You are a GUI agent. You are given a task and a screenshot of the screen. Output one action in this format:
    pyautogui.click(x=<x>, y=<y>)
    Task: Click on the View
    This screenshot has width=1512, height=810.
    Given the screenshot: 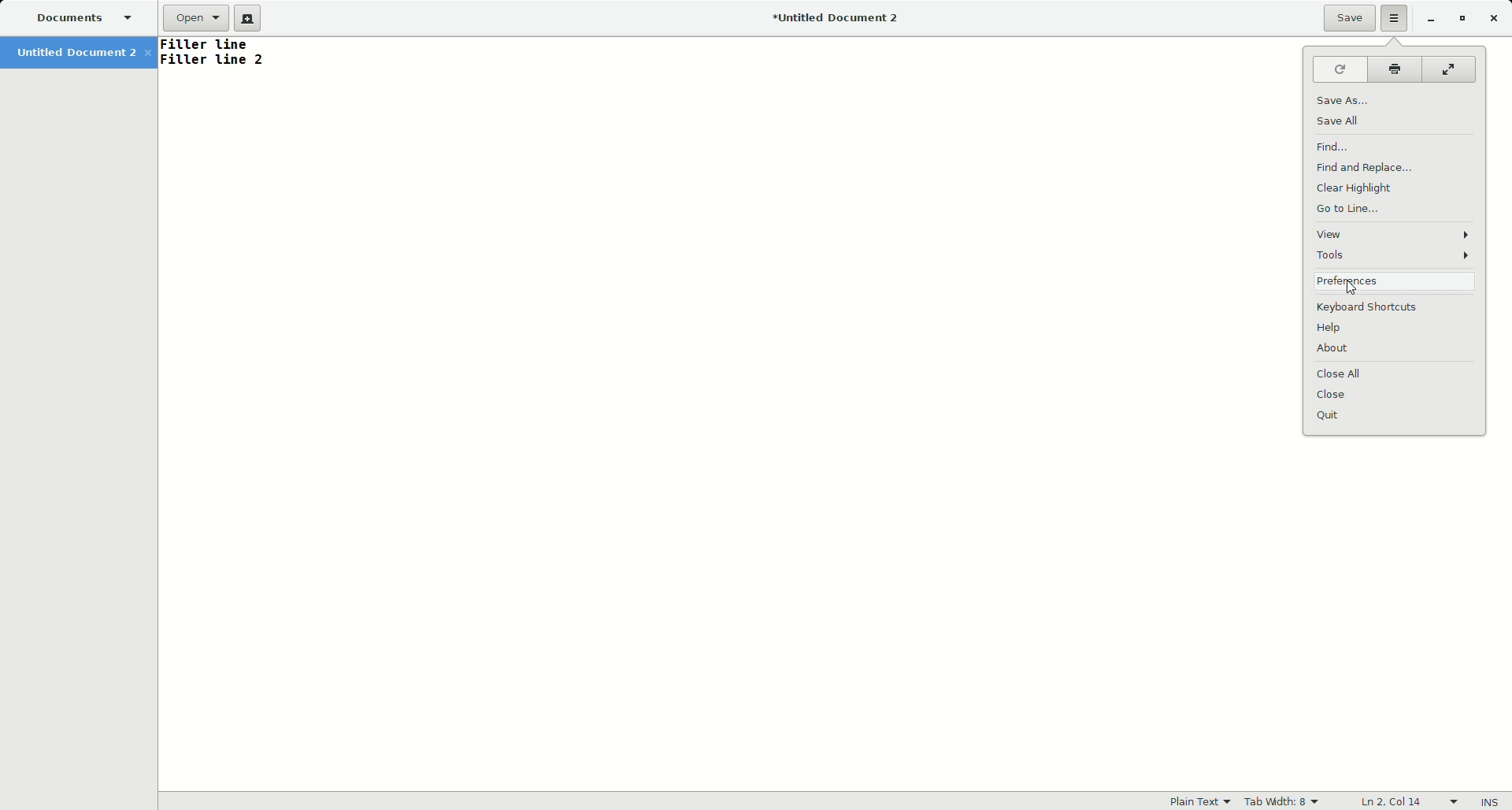 What is the action you would take?
    pyautogui.click(x=1394, y=234)
    